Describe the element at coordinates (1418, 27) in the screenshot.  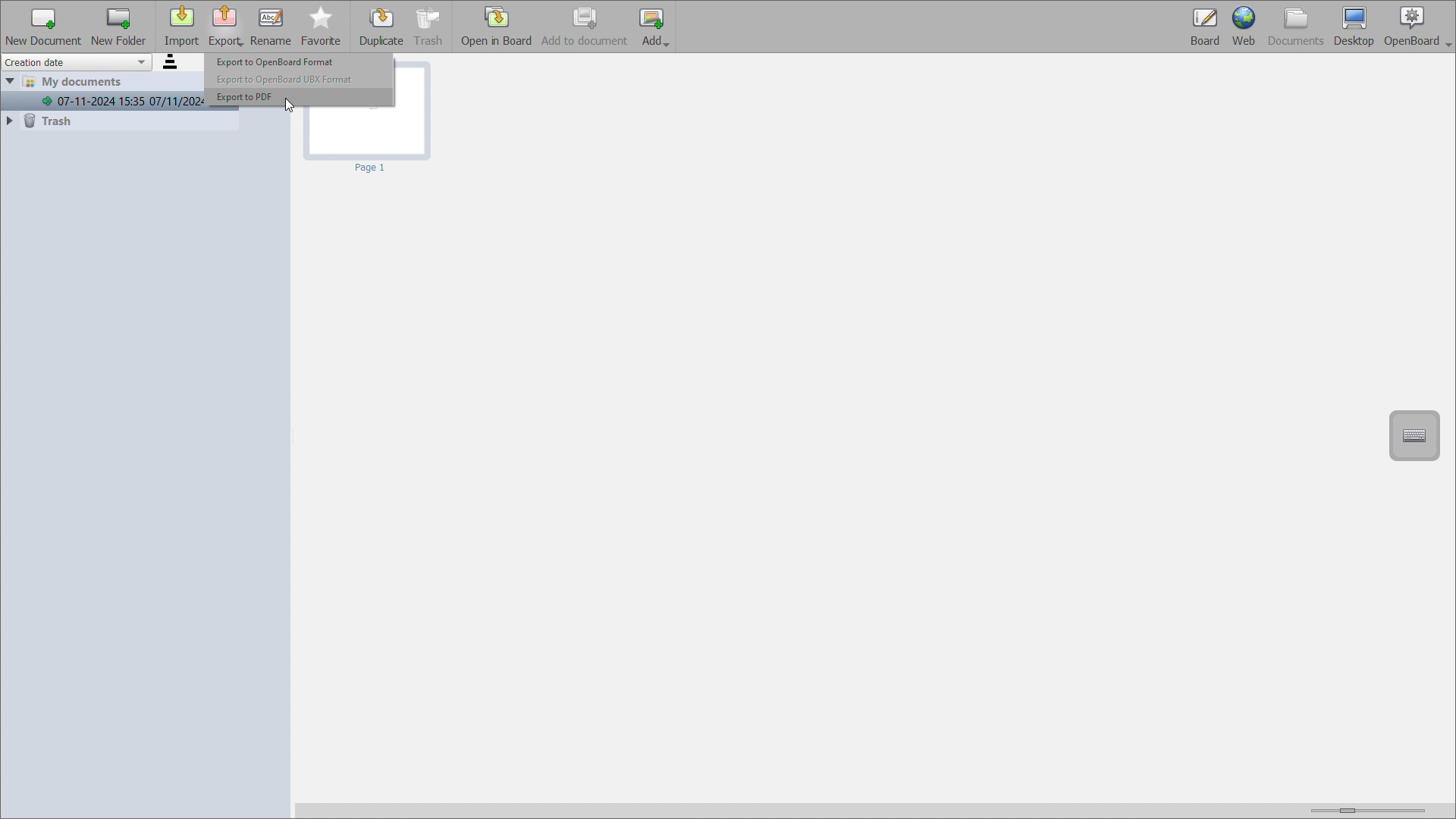
I see `openboard settings` at that location.